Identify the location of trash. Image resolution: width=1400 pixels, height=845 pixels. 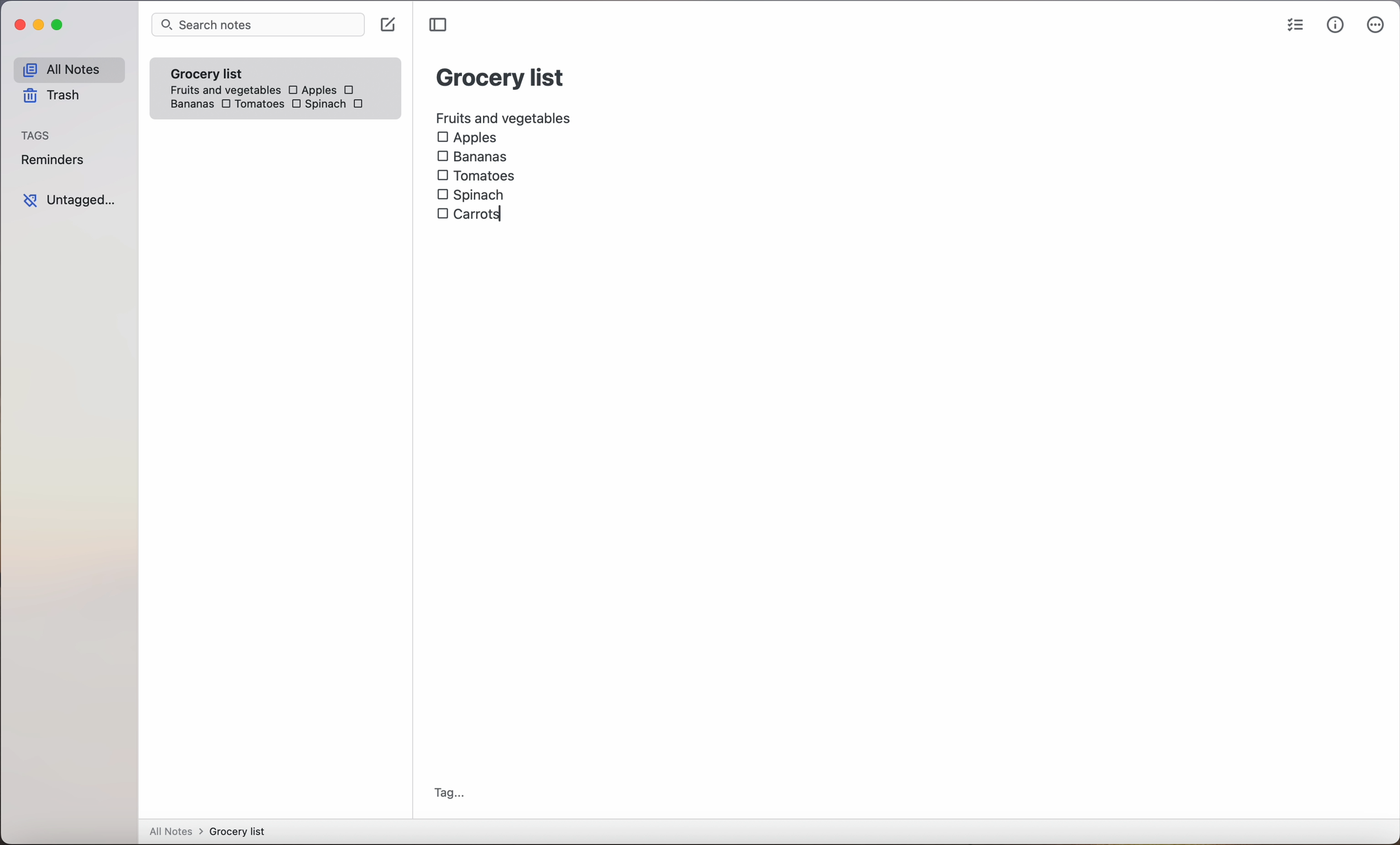
(50, 98).